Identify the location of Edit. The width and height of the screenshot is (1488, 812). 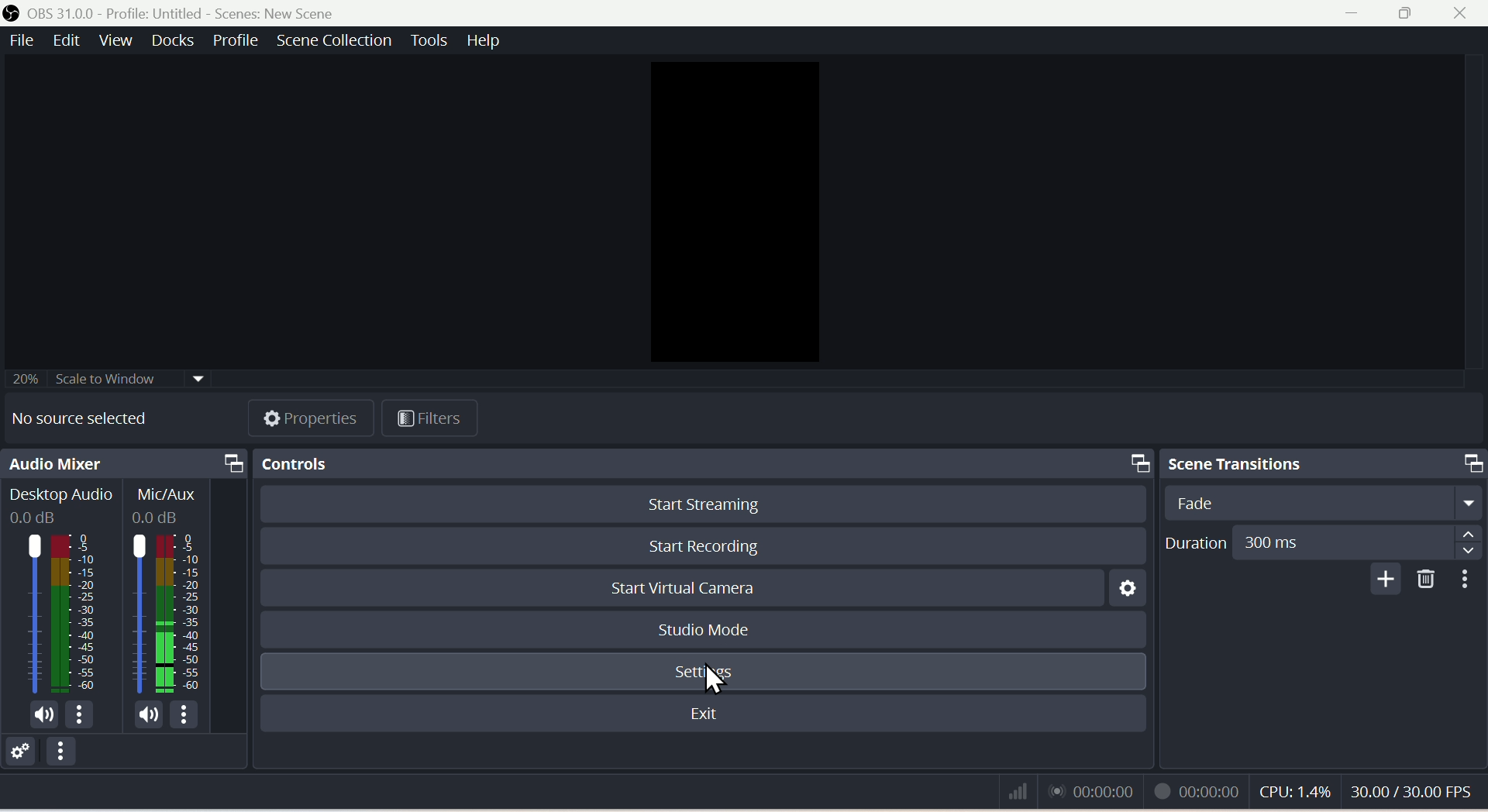
(66, 40).